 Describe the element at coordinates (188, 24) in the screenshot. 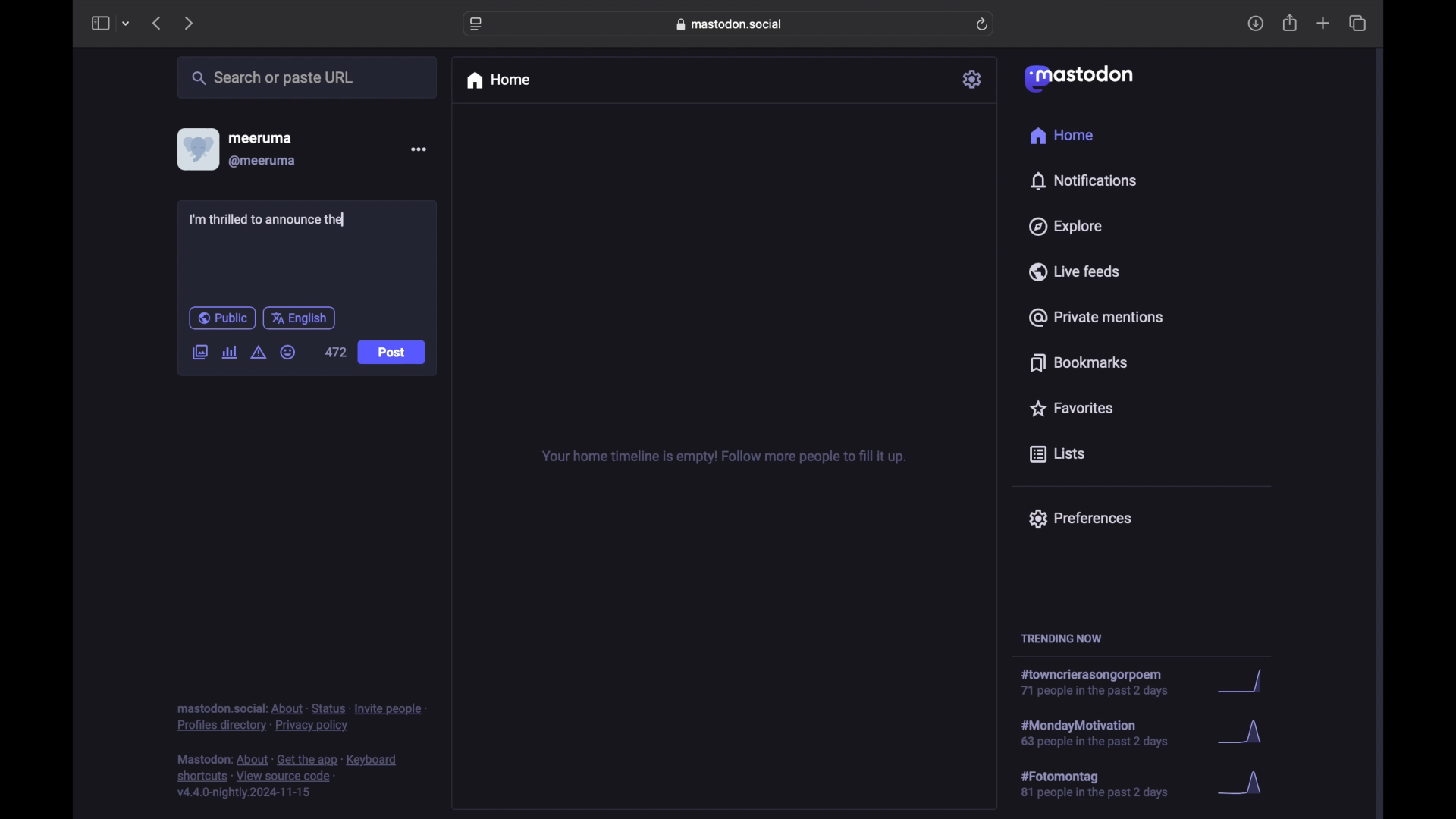

I see `next` at that location.